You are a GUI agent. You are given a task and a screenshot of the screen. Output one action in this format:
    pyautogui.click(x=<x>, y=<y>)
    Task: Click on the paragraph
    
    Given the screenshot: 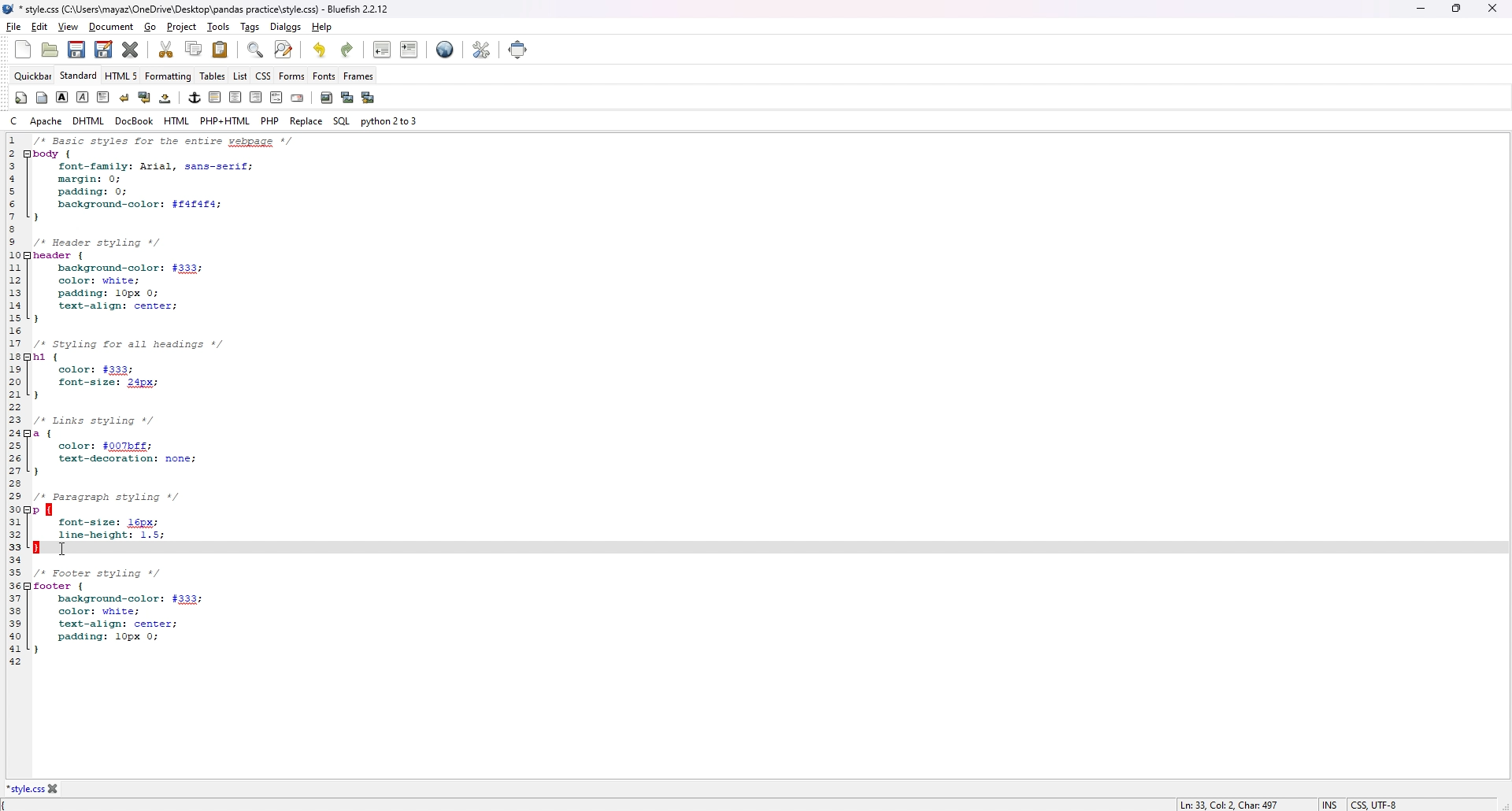 What is the action you would take?
    pyautogui.click(x=104, y=97)
    